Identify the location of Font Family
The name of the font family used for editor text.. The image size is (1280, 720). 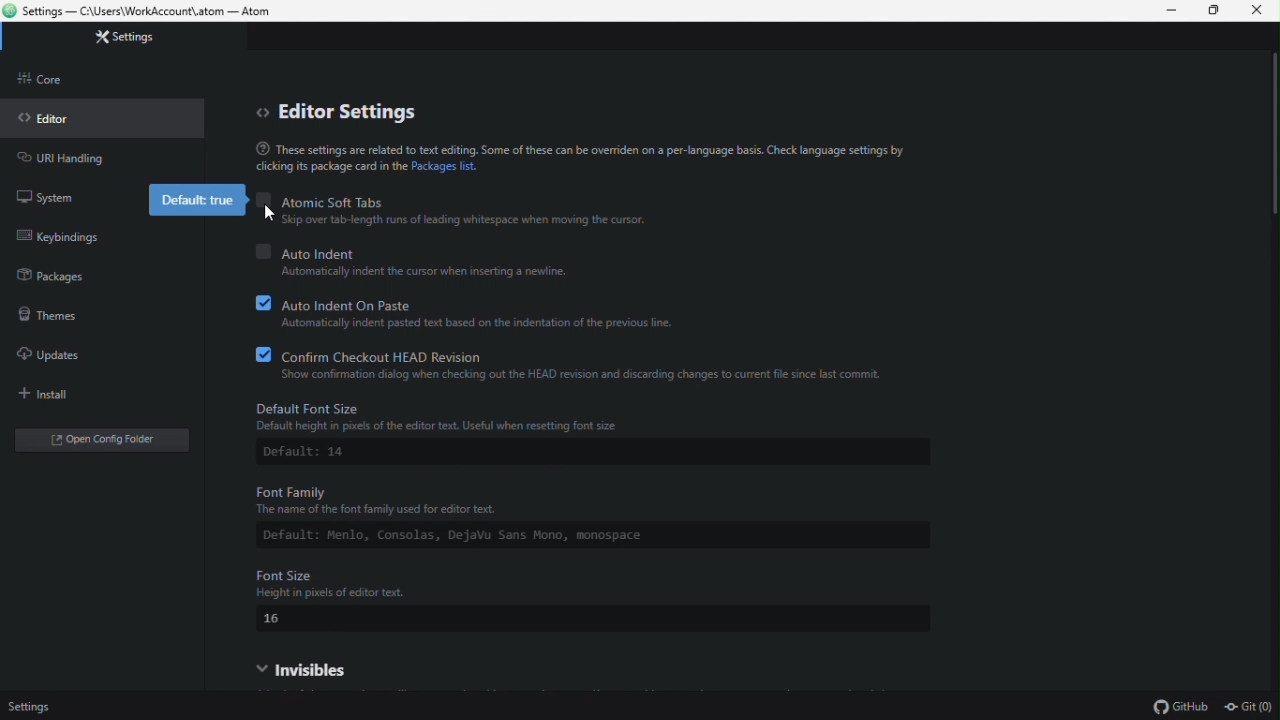
(396, 499).